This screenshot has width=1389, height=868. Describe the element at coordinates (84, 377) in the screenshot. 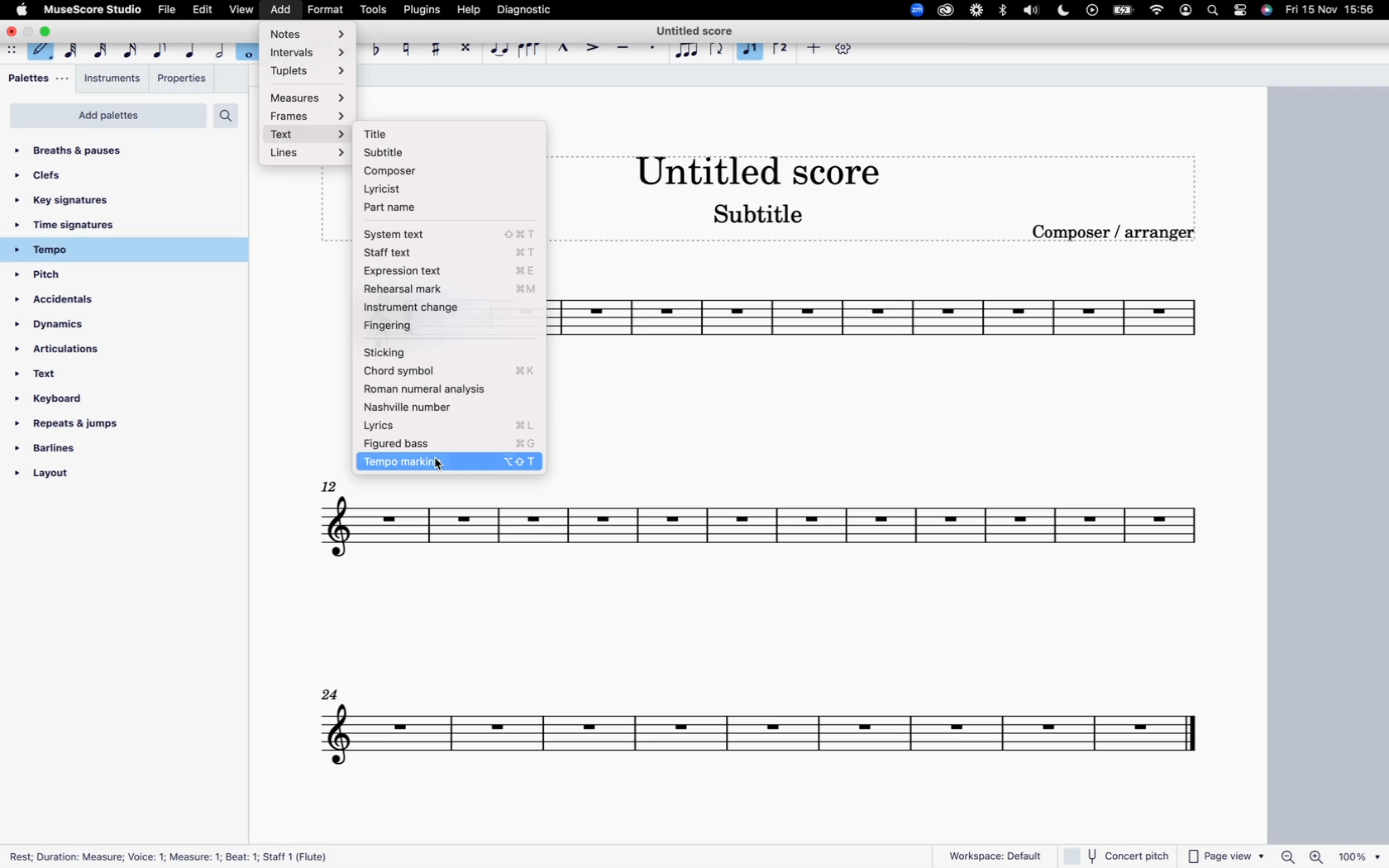

I see `text` at that location.